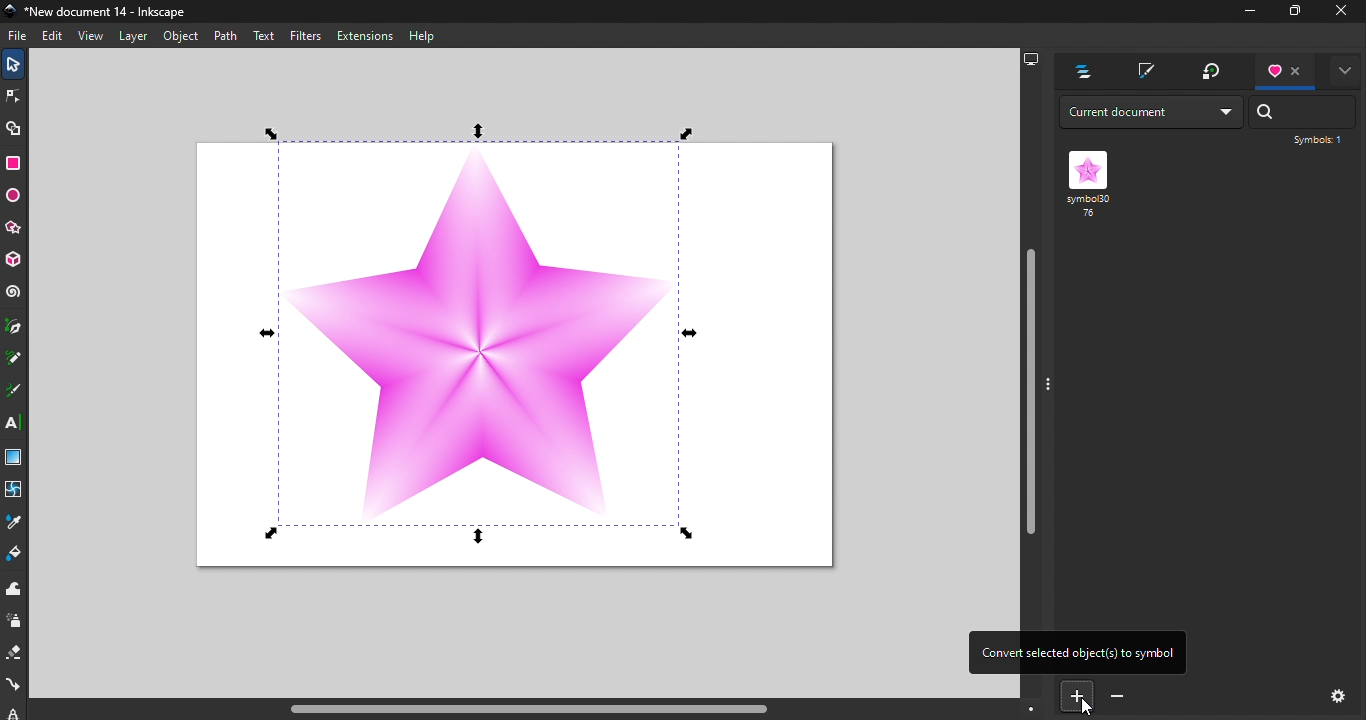 The image size is (1366, 720). I want to click on Horizontal scroll bar, so click(539, 710).